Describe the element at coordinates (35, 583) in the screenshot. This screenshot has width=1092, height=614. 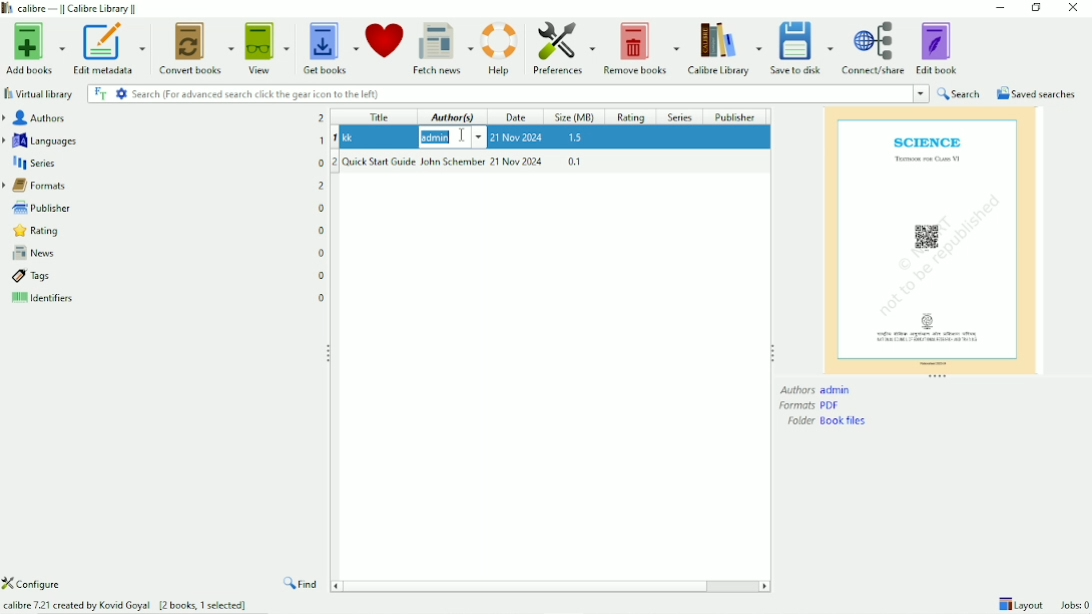
I see `Configure` at that location.